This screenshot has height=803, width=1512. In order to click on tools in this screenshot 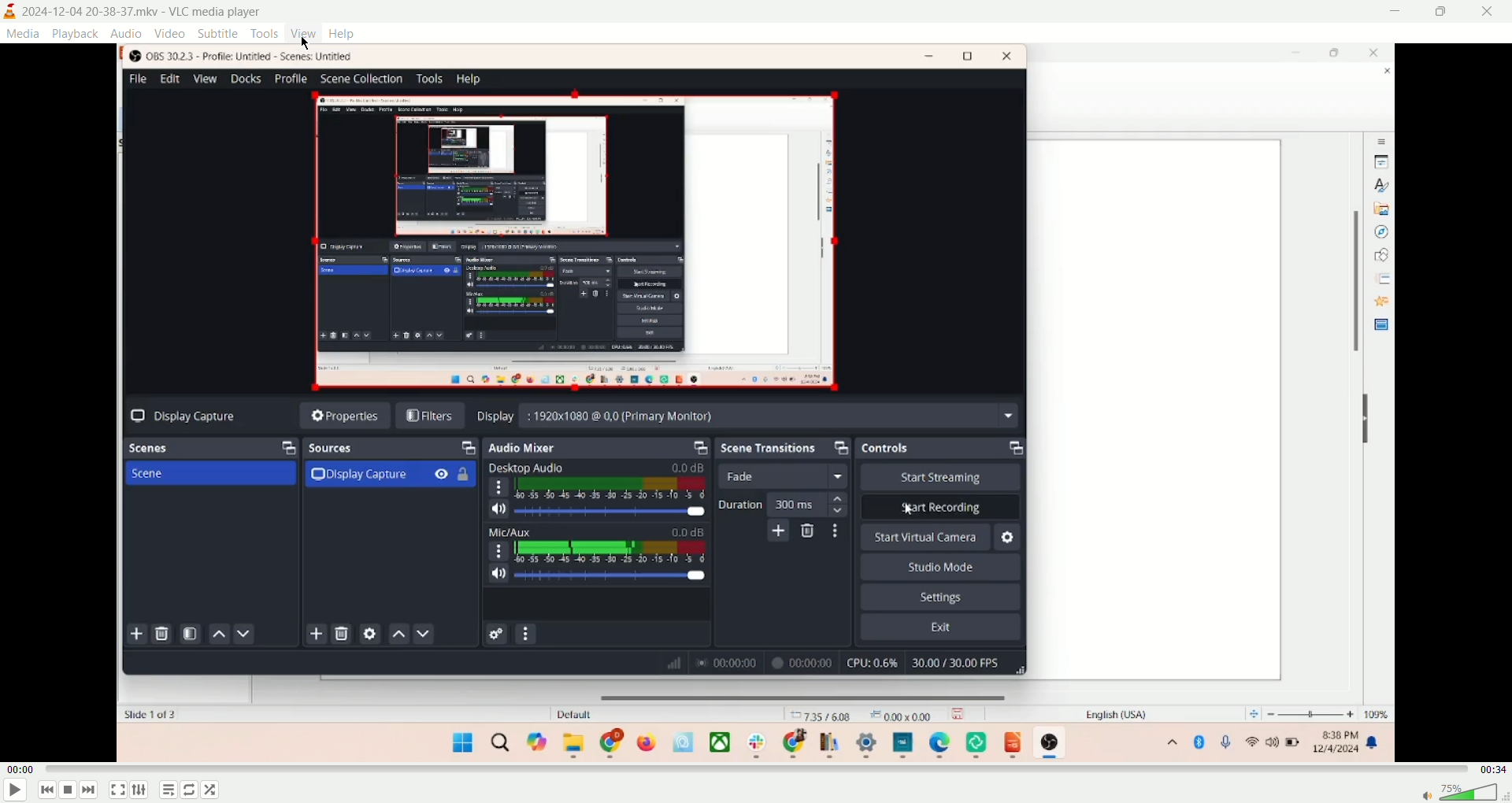, I will do `click(264, 33)`.